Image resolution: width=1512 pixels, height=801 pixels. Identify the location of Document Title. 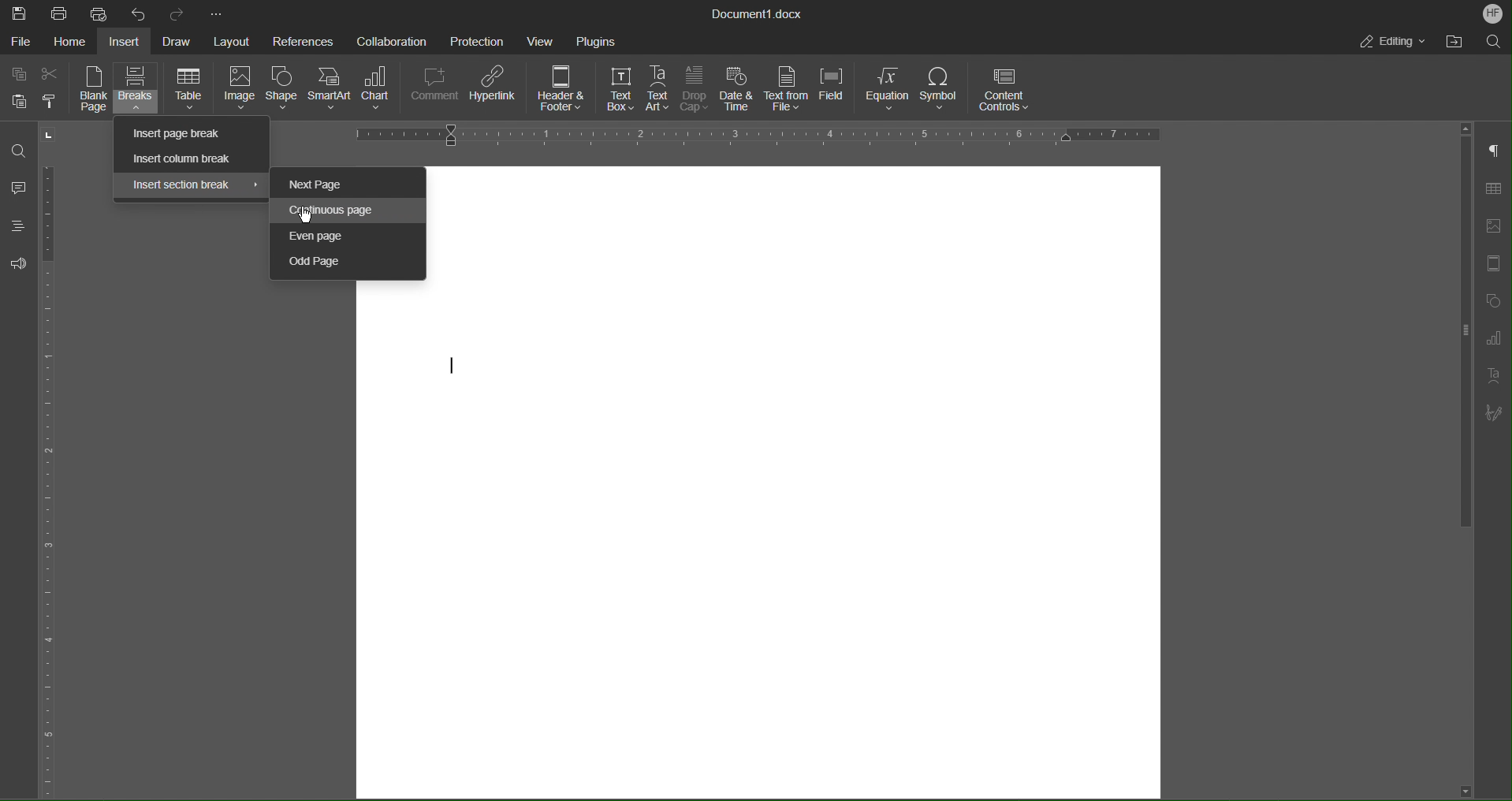
(753, 13).